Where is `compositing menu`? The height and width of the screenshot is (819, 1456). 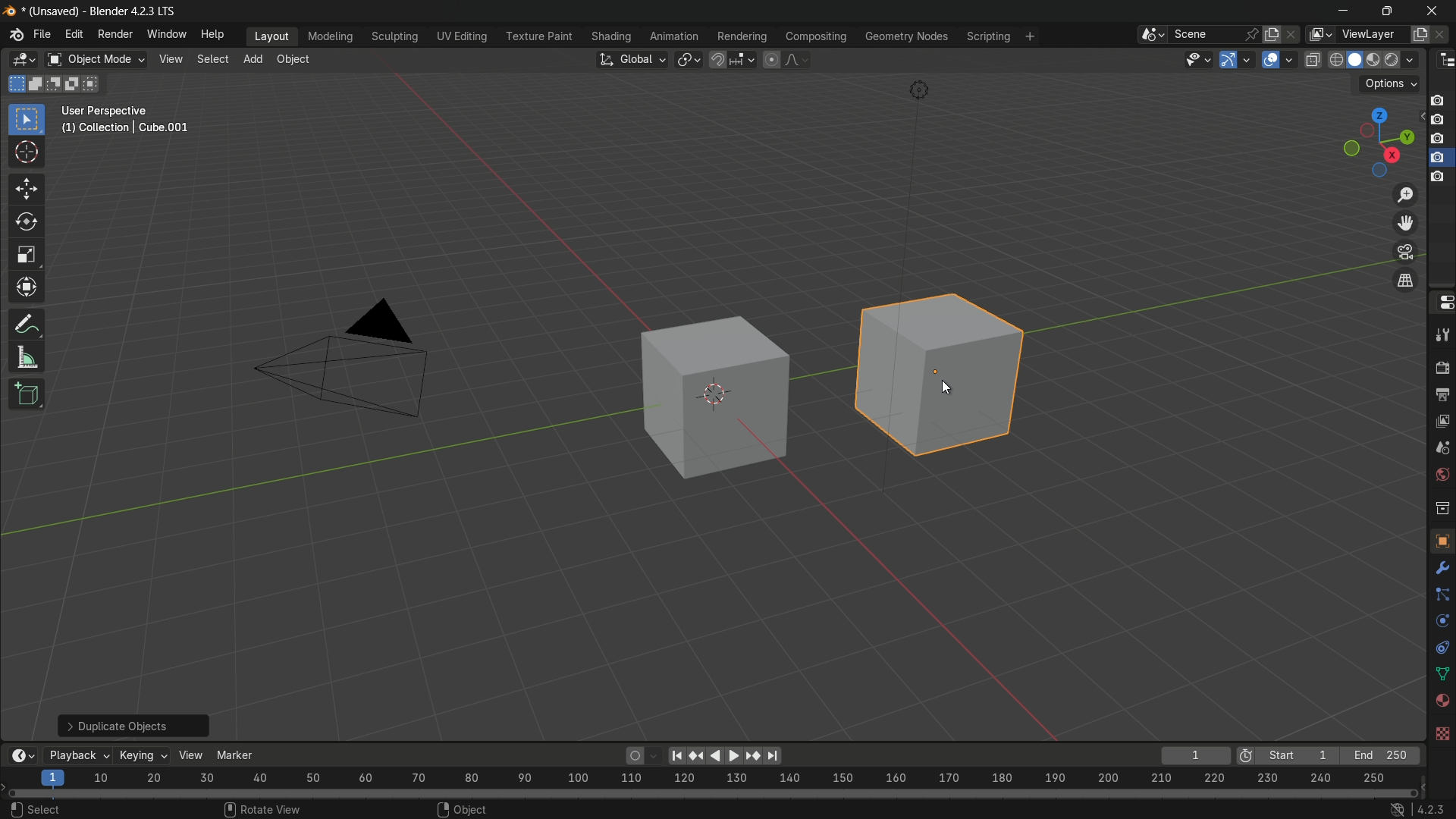
compositing menu is located at coordinates (815, 36).